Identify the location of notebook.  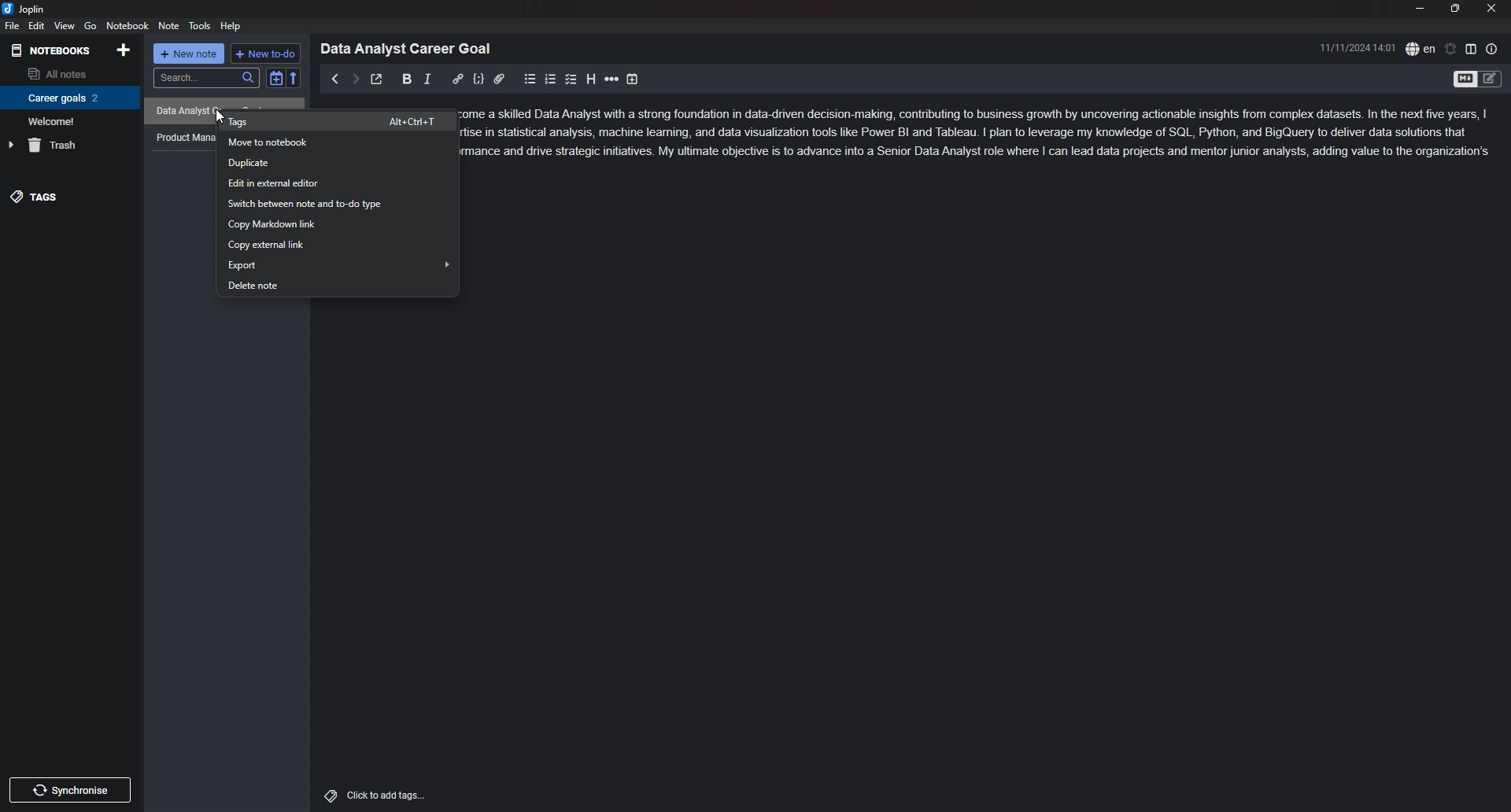
(127, 25).